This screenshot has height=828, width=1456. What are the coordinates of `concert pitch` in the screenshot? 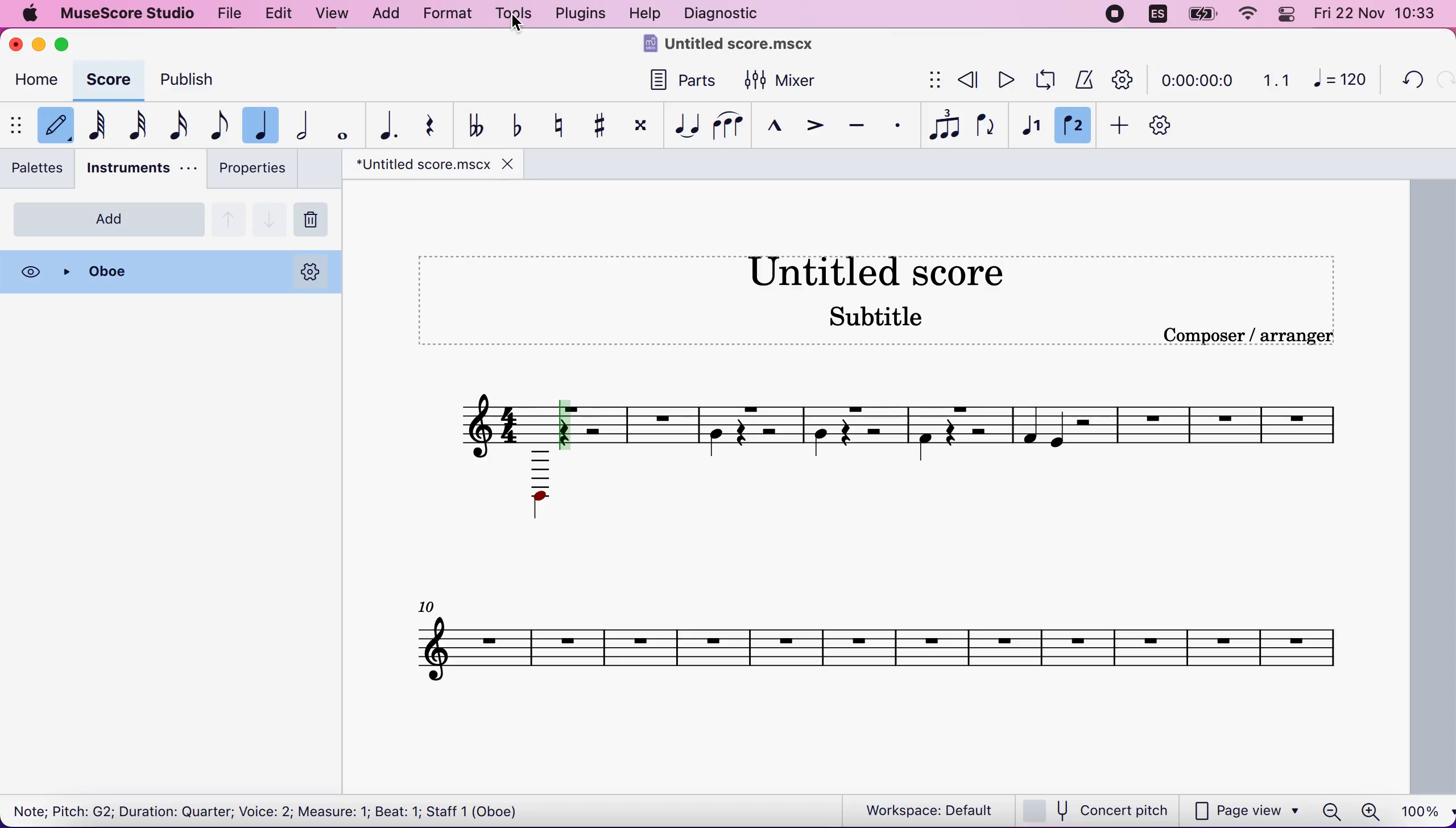 It's located at (1098, 809).